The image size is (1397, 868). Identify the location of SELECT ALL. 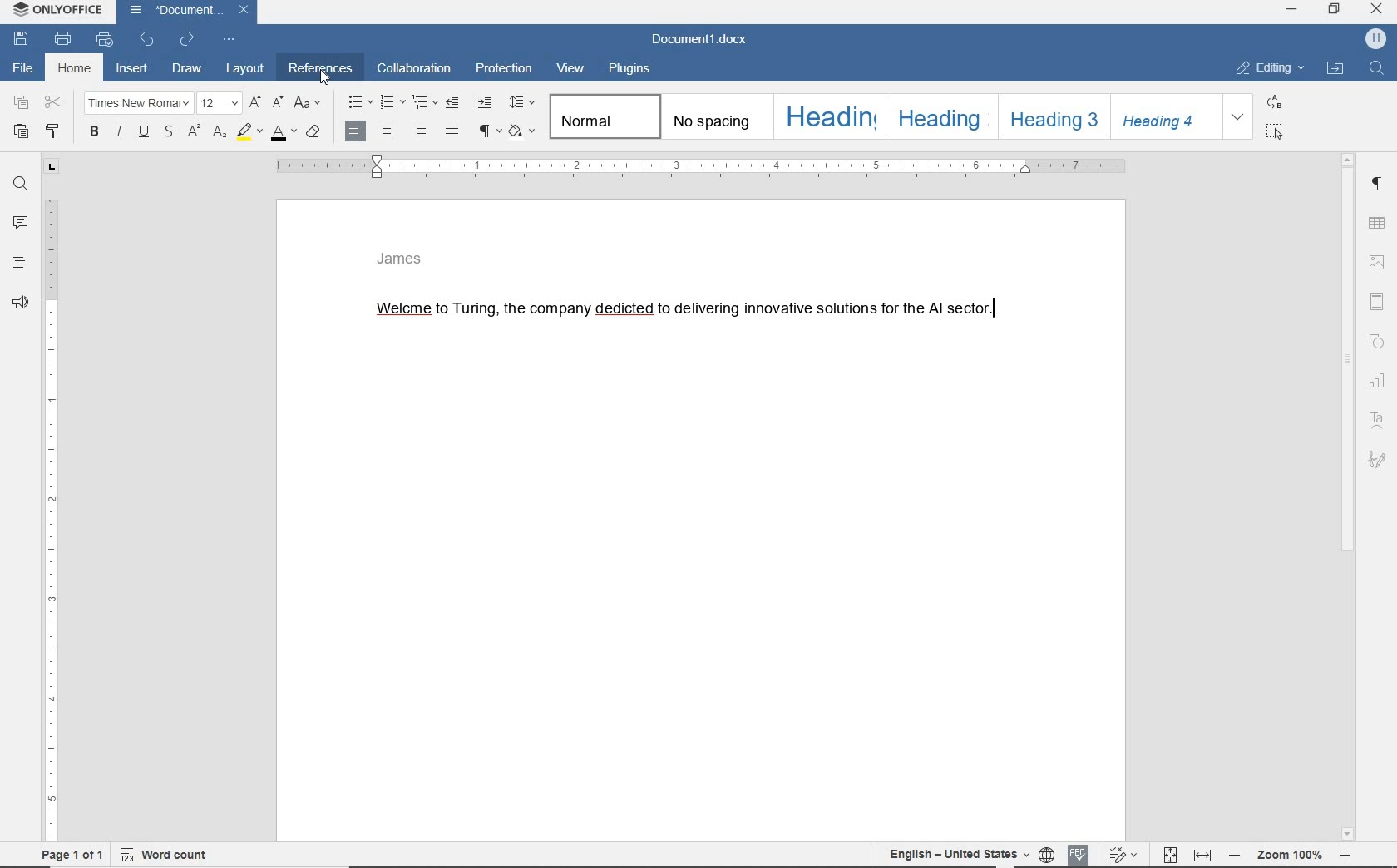
(1276, 133).